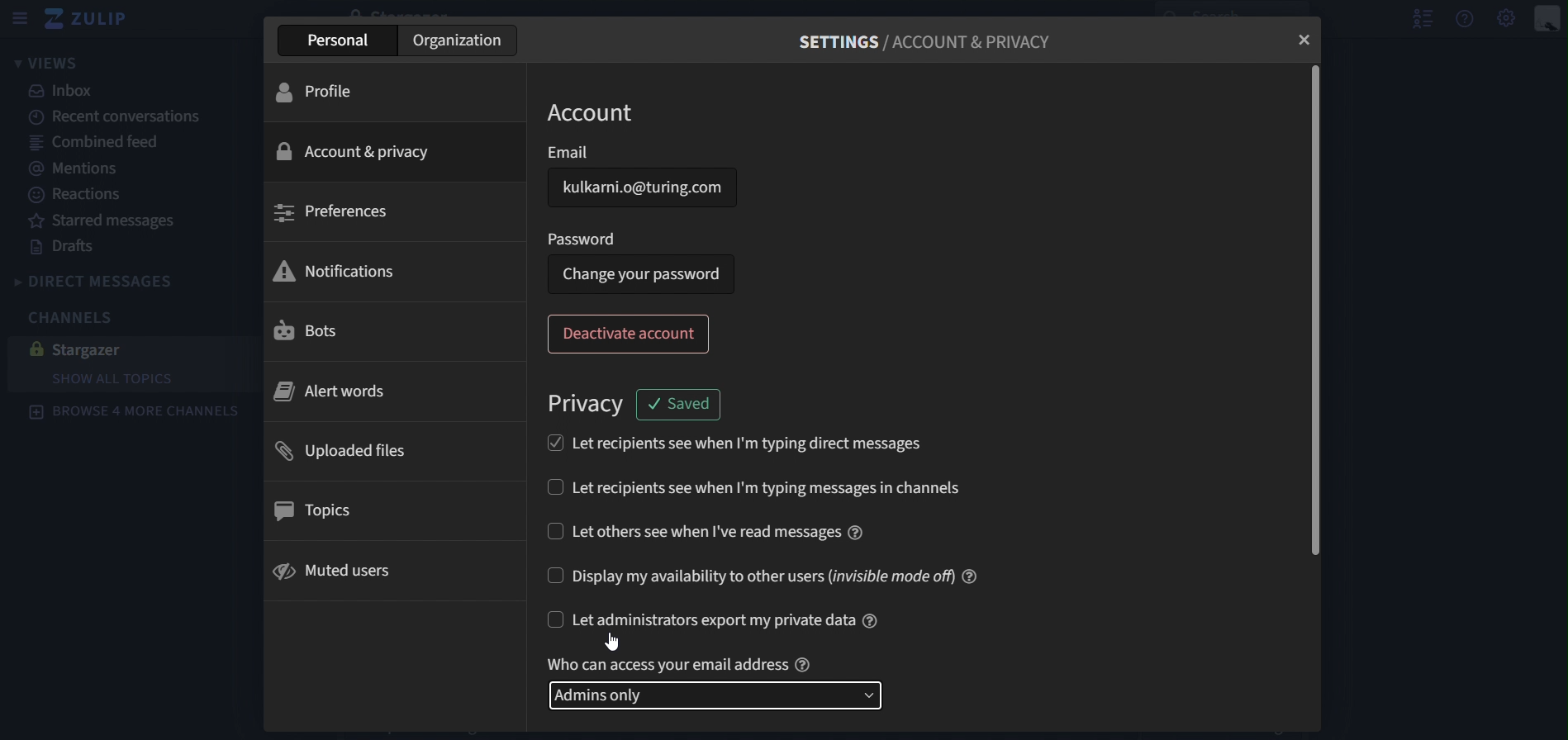 Image resolution: width=1568 pixels, height=740 pixels. What do you see at coordinates (113, 378) in the screenshot?
I see `show all topics` at bounding box center [113, 378].